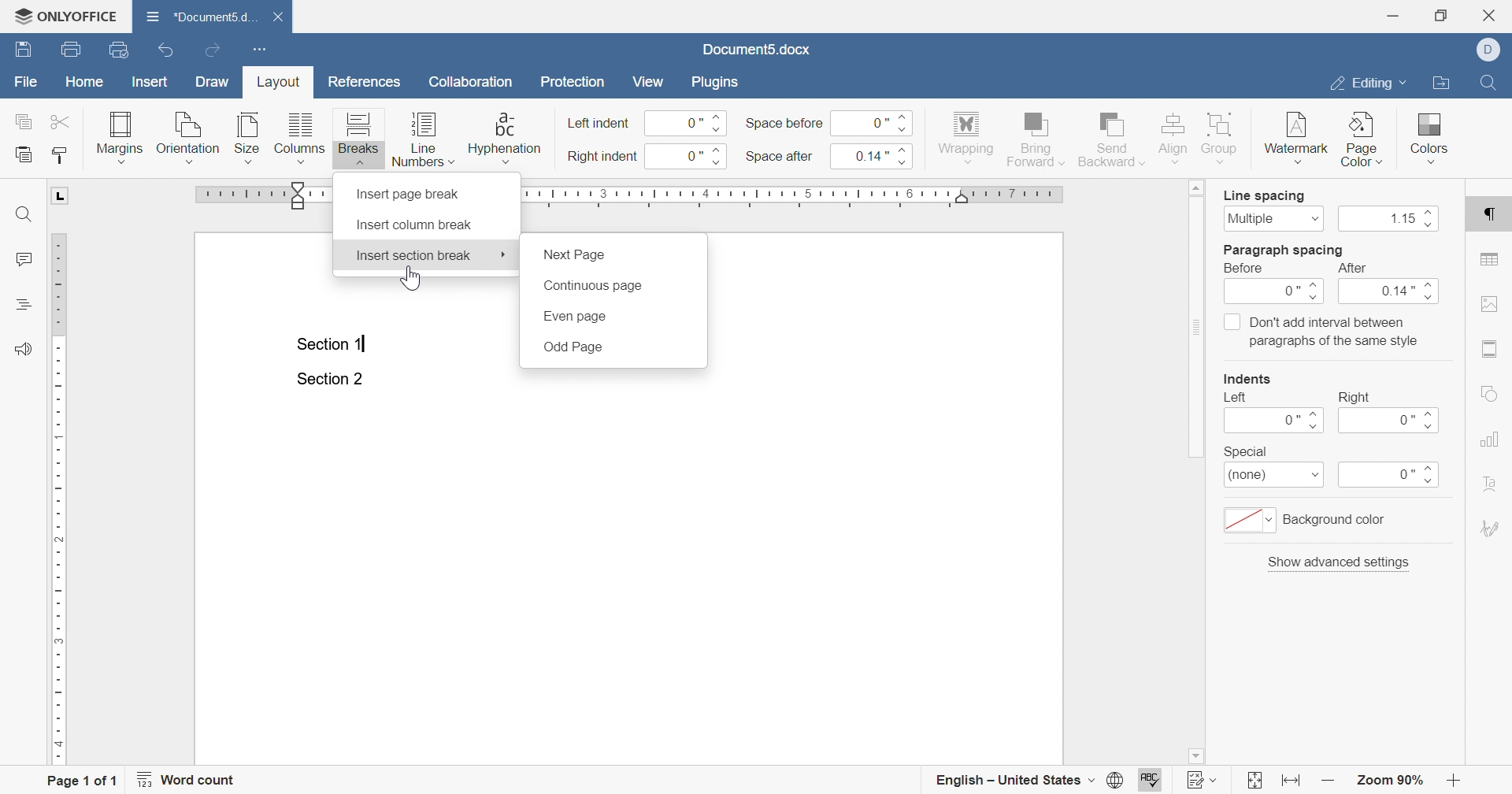 This screenshot has height=794, width=1512. What do you see at coordinates (423, 139) in the screenshot?
I see `line numbers` at bounding box center [423, 139].